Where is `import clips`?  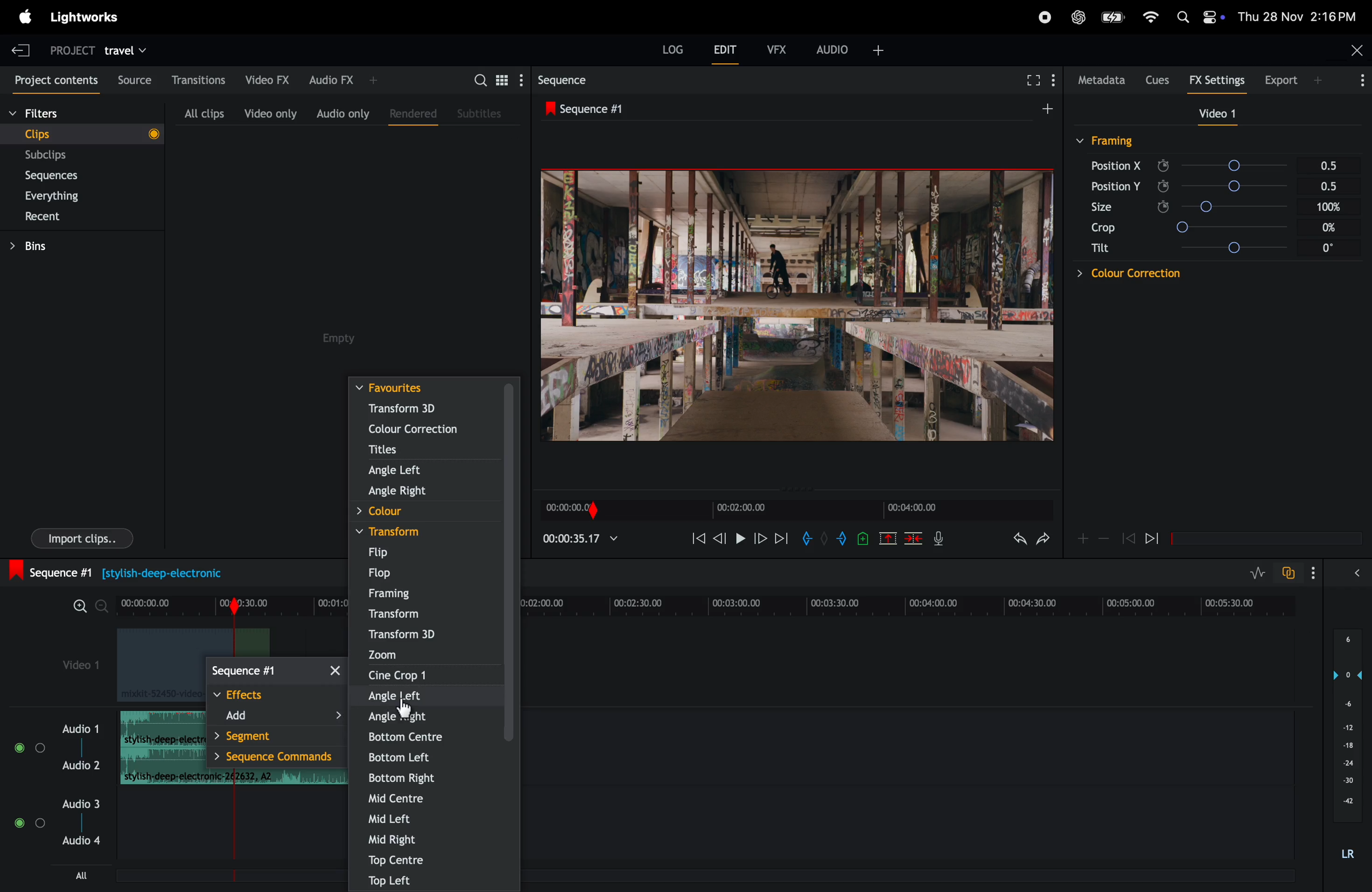
import clips is located at coordinates (77, 541).